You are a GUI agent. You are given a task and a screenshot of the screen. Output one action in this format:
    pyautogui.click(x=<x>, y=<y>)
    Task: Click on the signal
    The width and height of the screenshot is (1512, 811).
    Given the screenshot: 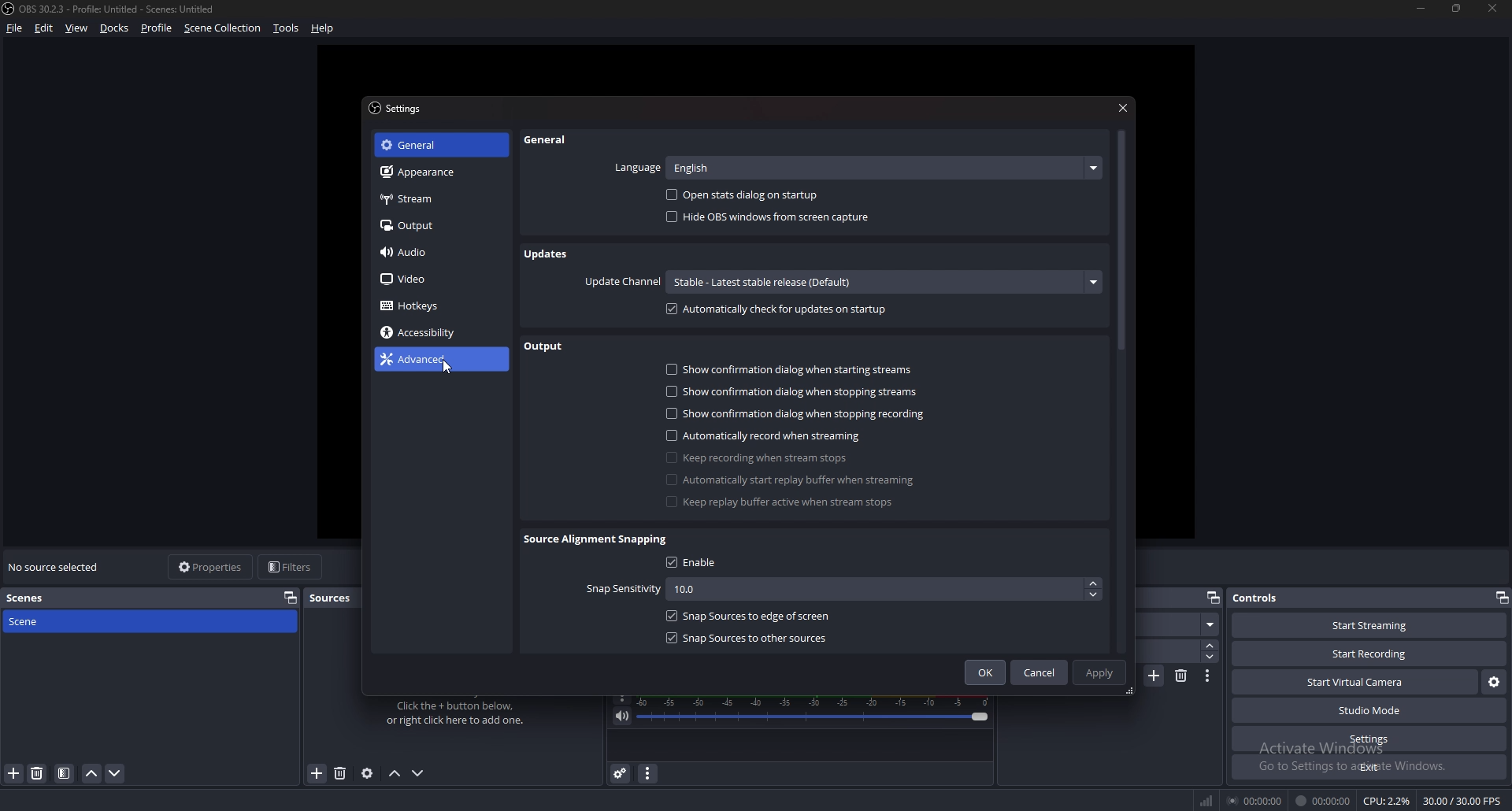 What is the action you would take?
    pyautogui.click(x=1204, y=798)
    